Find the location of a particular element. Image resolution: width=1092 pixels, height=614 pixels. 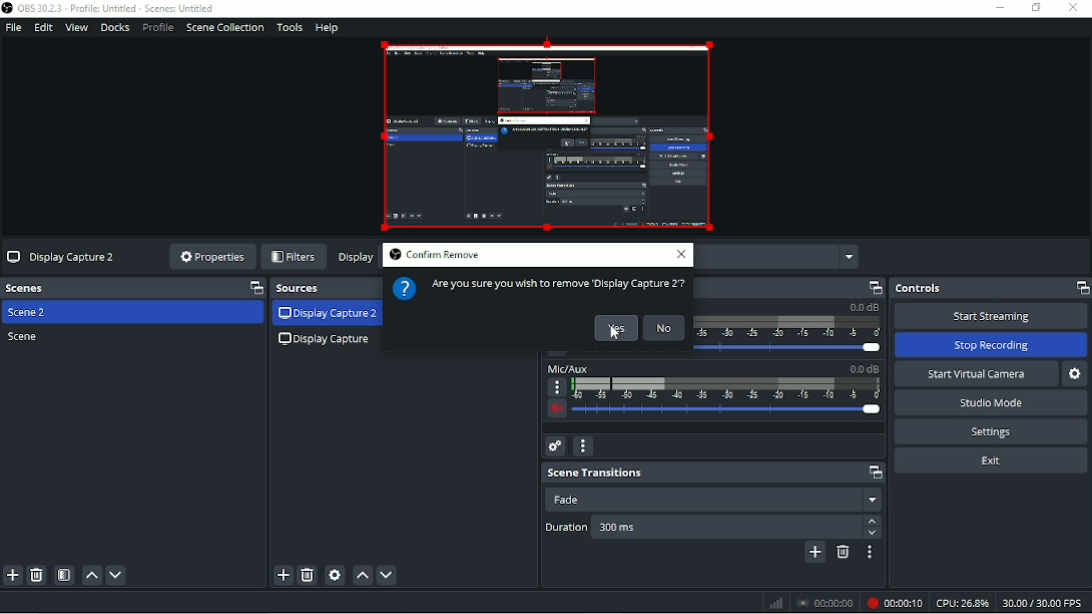

Video title is located at coordinates (61, 256).